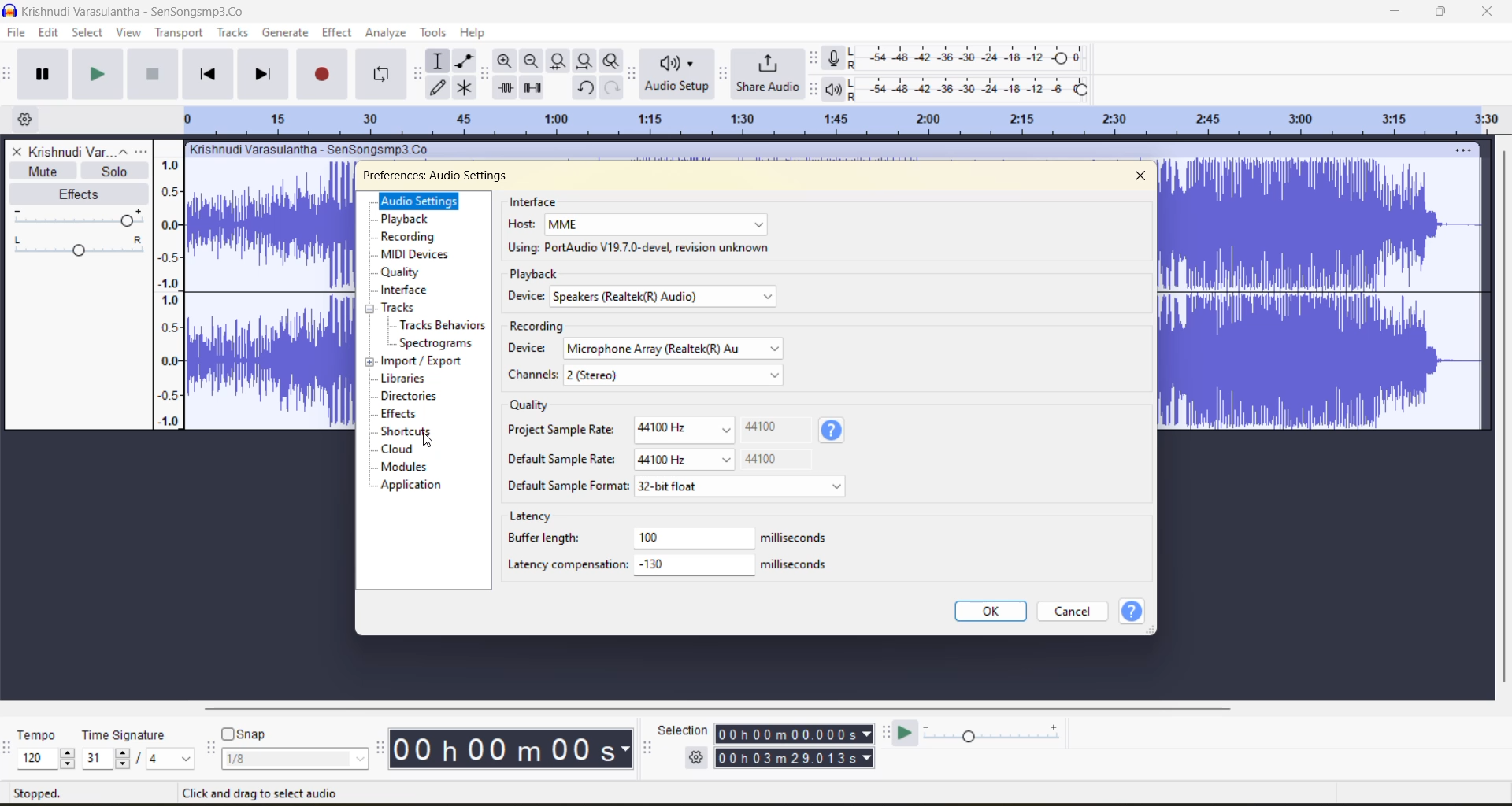 Image resolution: width=1512 pixels, height=806 pixels. I want to click on stop, so click(154, 76).